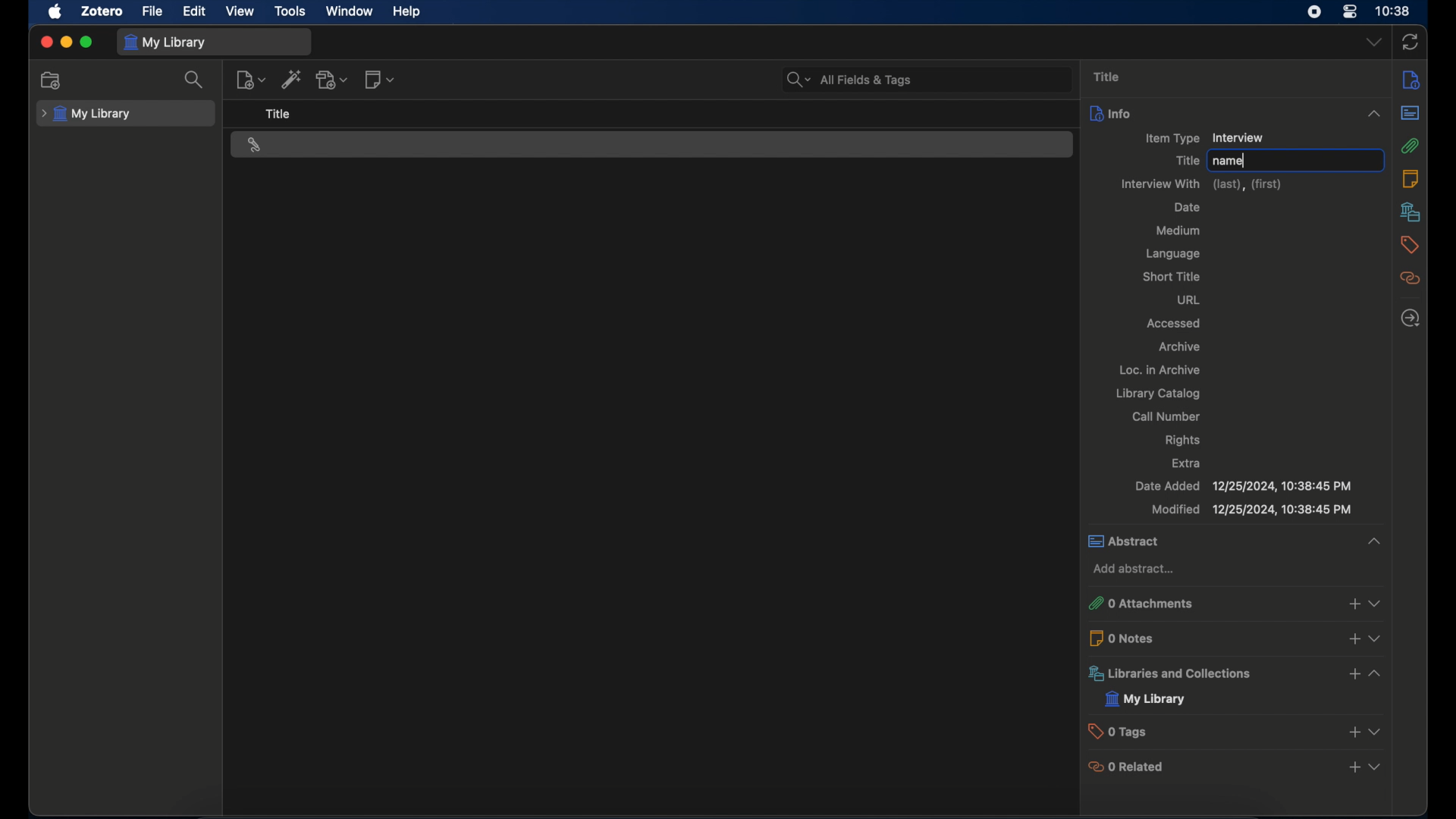 Image resolution: width=1456 pixels, height=819 pixels. I want to click on edit, so click(196, 11).